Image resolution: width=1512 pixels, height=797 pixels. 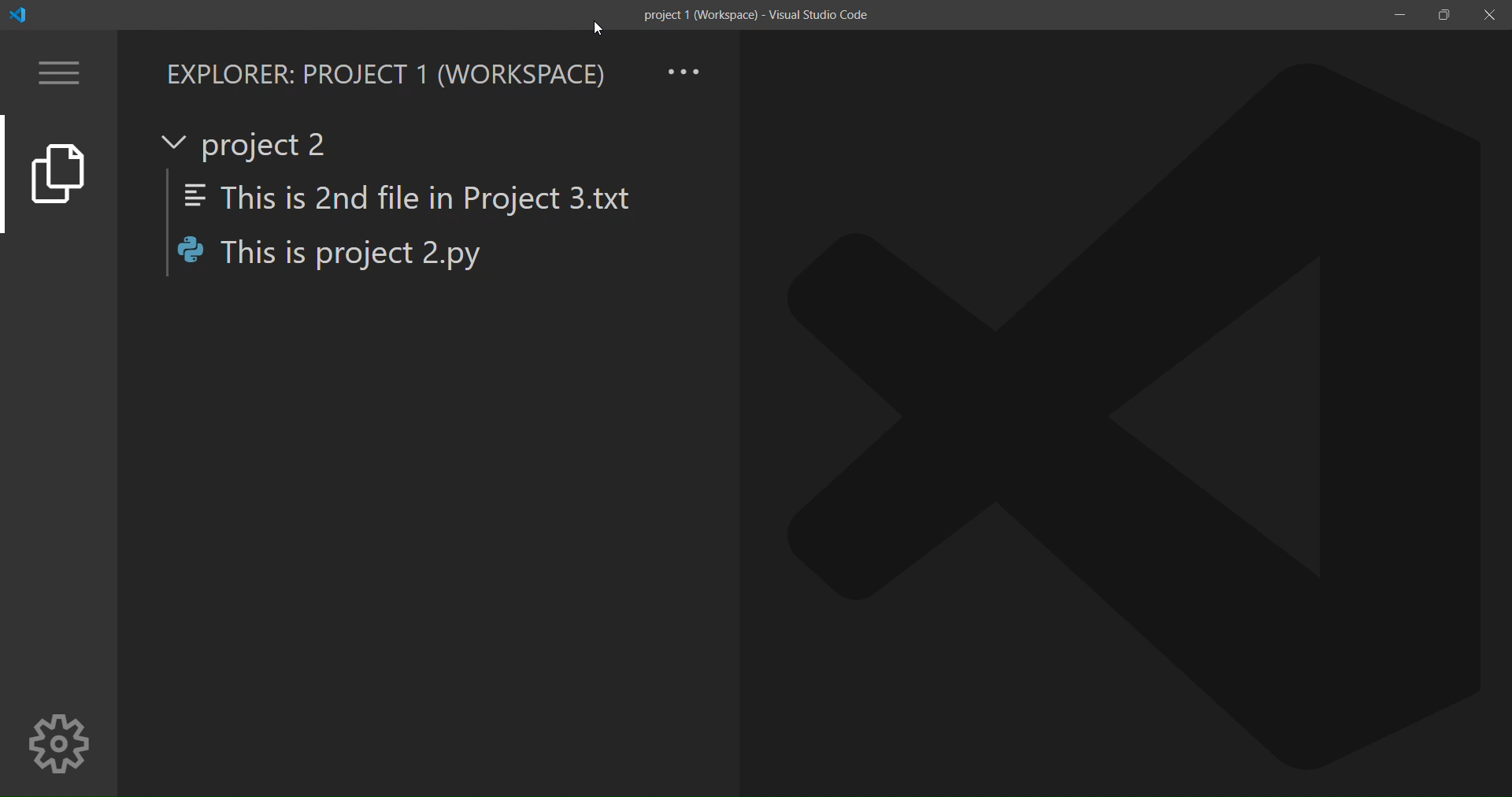 What do you see at coordinates (419, 201) in the screenshot?
I see `This is 2nd file in Project 3.txt` at bounding box center [419, 201].